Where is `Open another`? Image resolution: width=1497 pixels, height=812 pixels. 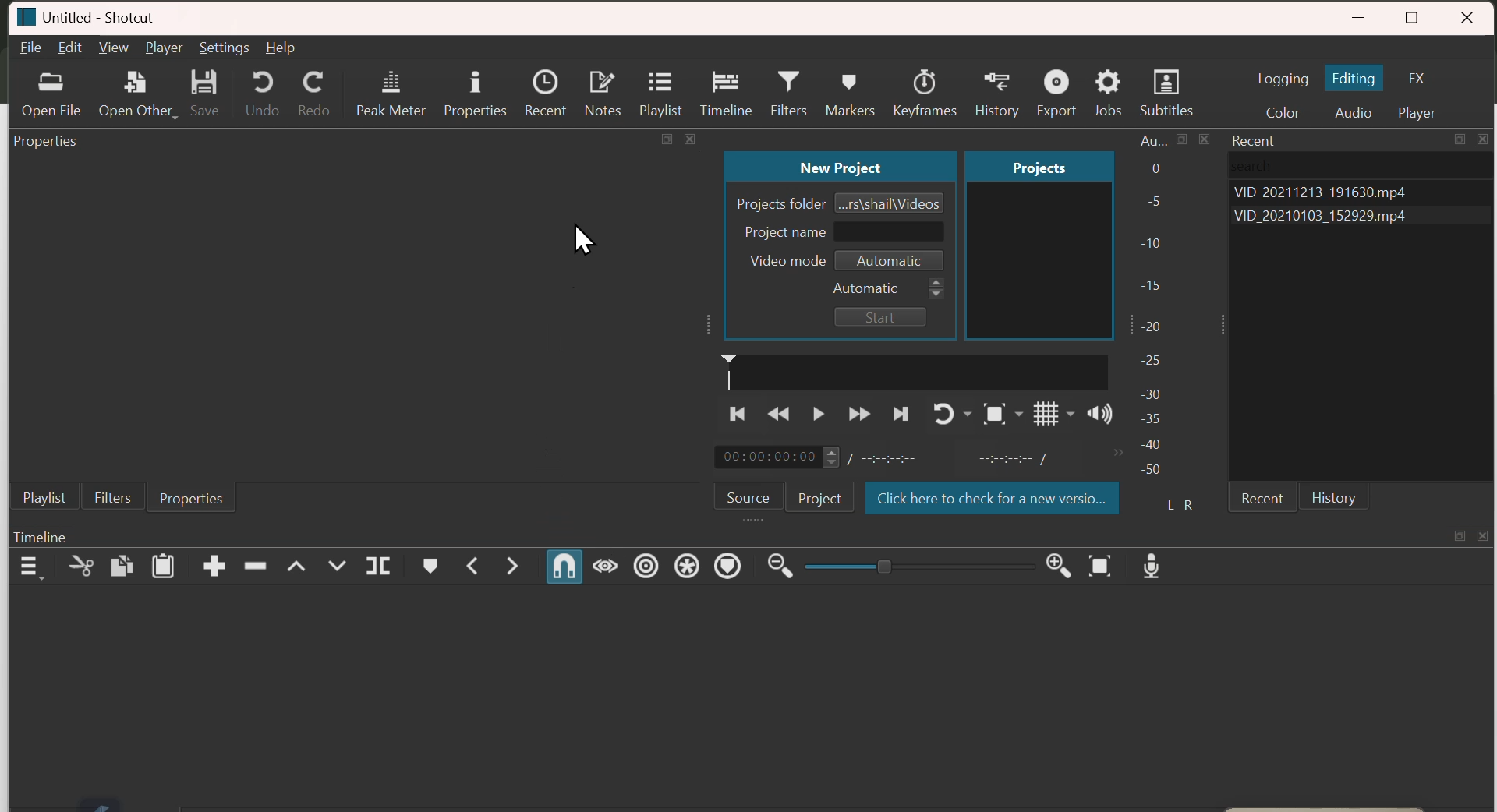 Open another is located at coordinates (138, 91).